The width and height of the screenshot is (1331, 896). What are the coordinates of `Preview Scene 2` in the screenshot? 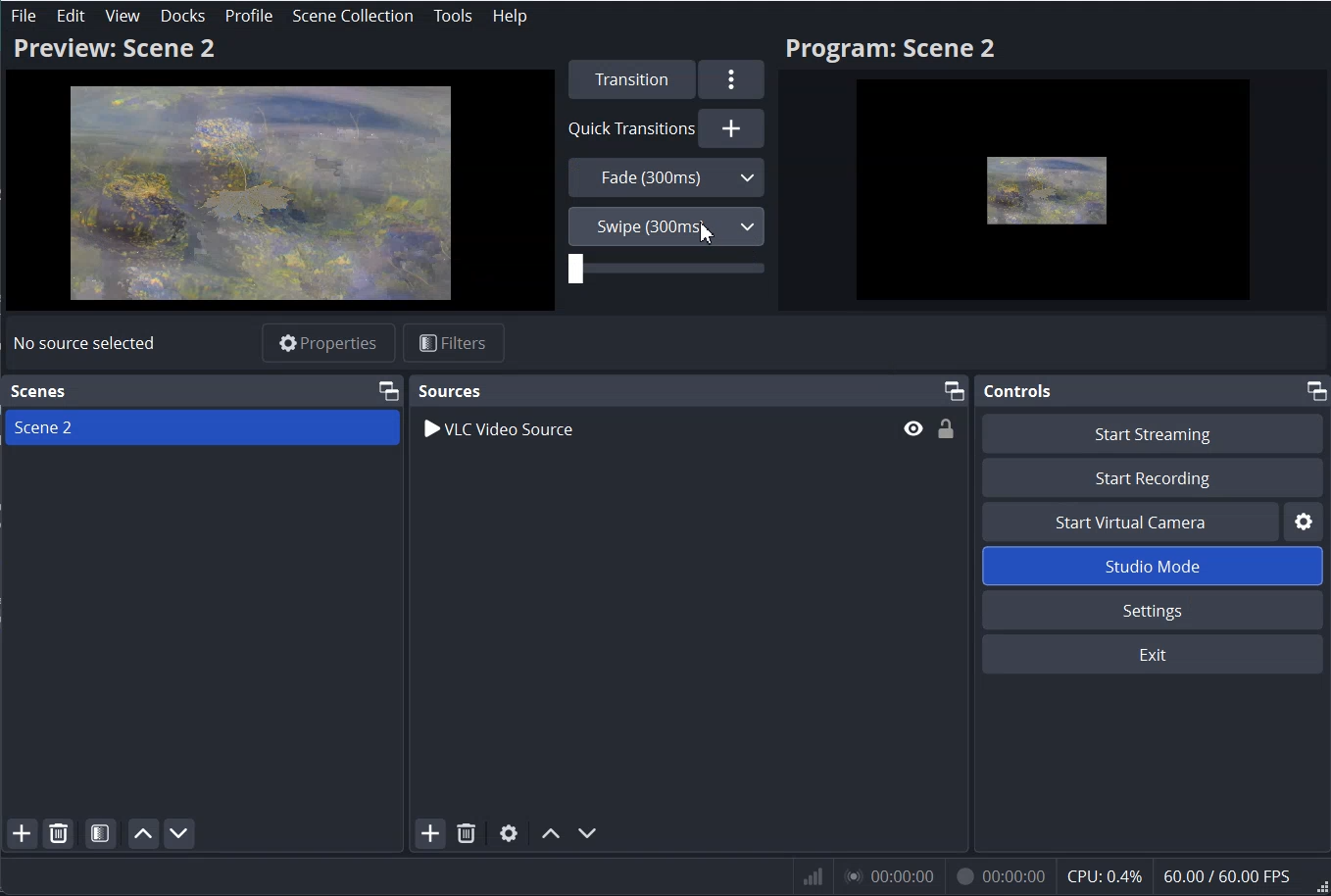 It's located at (278, 172).